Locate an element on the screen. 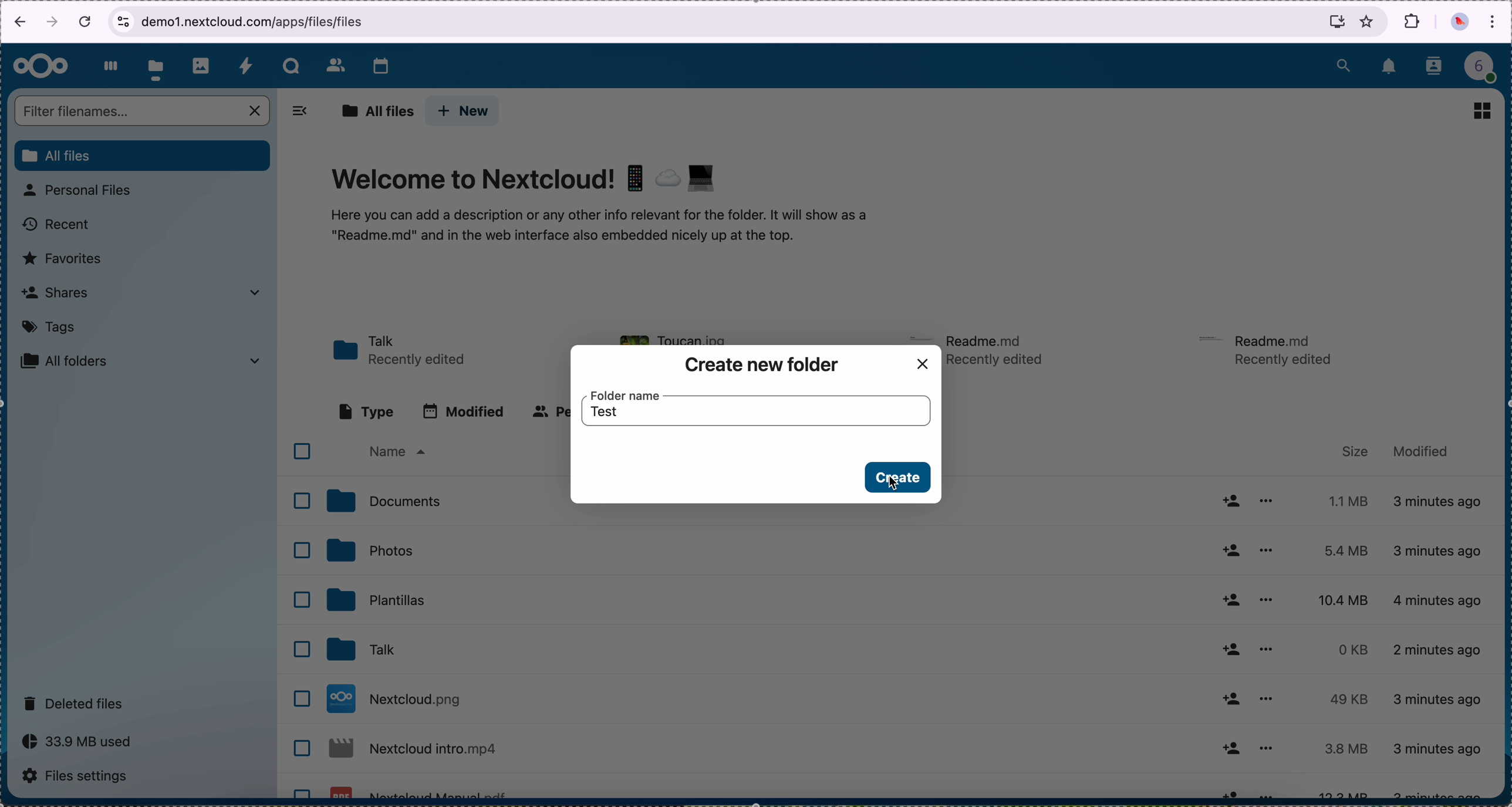 The width and height of the screenshot is (1512, 807). tags is located at coordinates (50, 327).